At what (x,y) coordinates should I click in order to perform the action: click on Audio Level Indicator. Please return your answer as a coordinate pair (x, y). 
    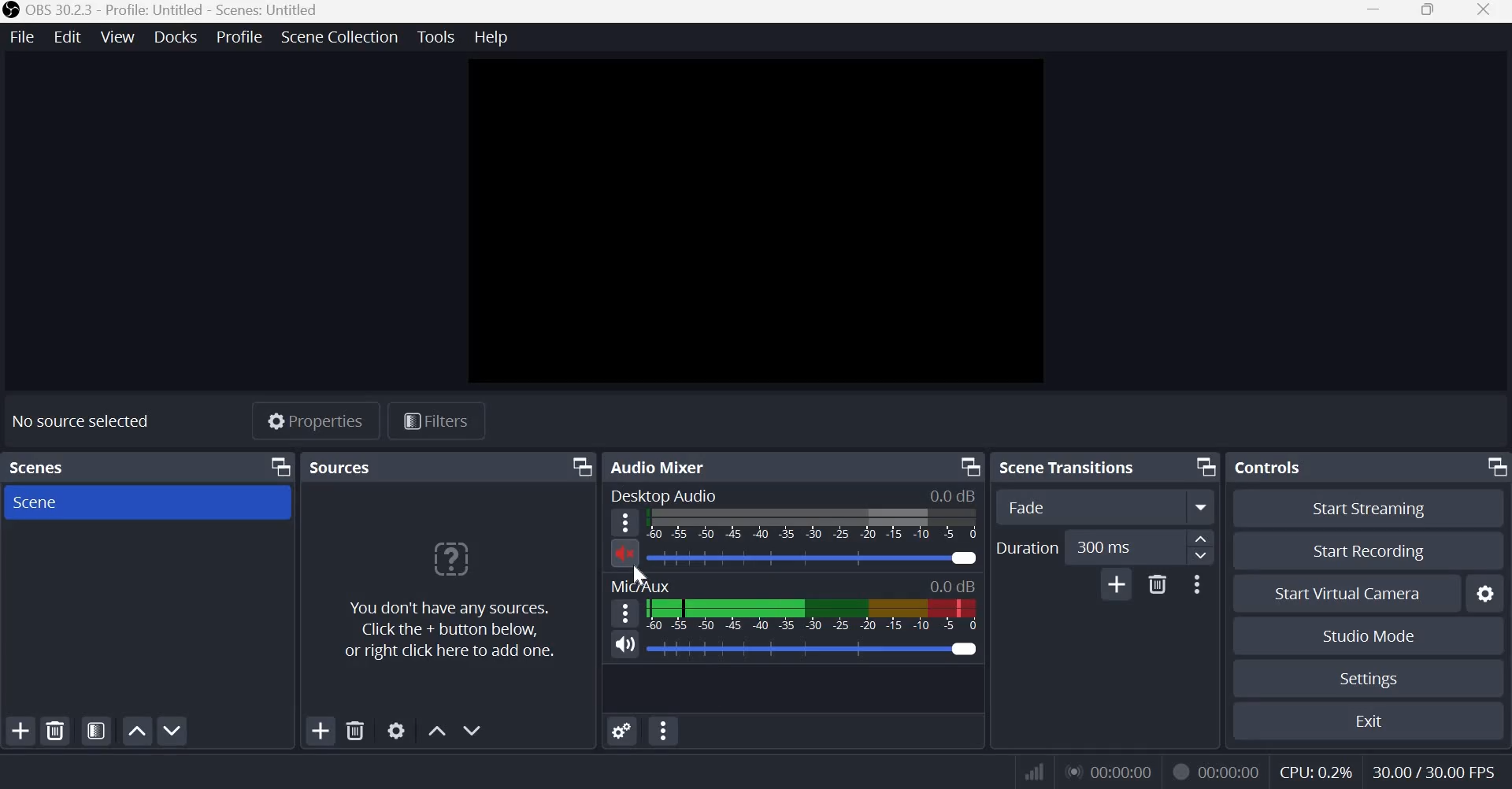
    Looking at the image, I should click on (954, 495).